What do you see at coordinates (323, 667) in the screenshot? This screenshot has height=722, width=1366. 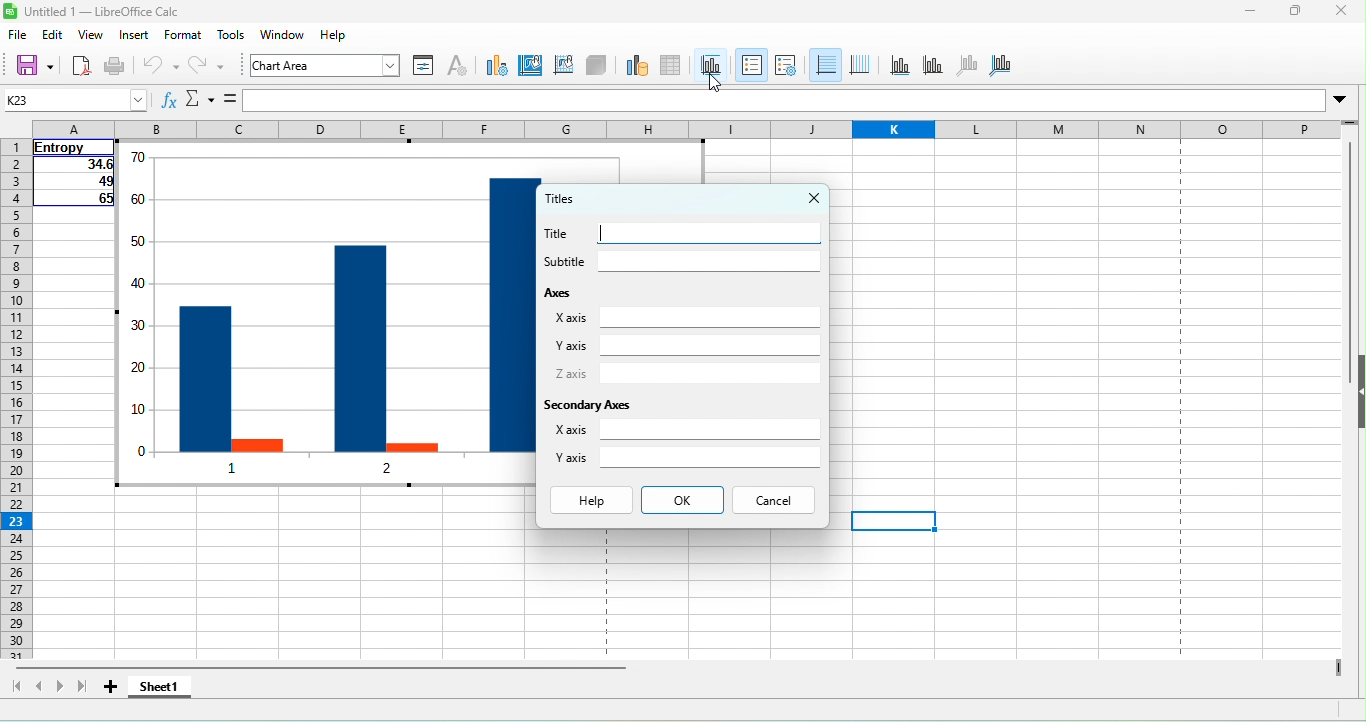 I see `horizontal scroll bar` at bounding box center [323, 667].